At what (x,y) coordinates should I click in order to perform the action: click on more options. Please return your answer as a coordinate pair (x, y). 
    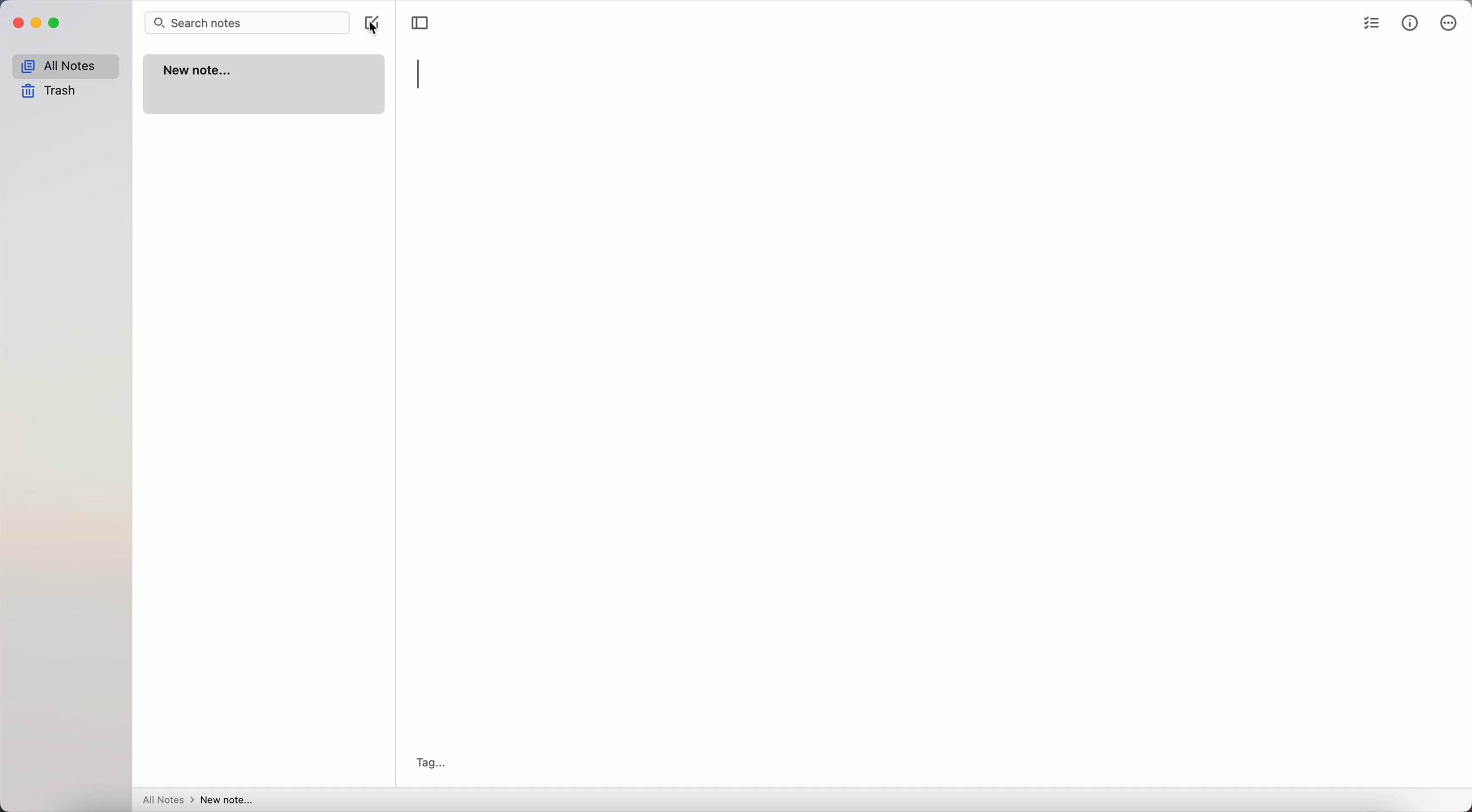
    Looking at the image, I should click on (1449, 23).